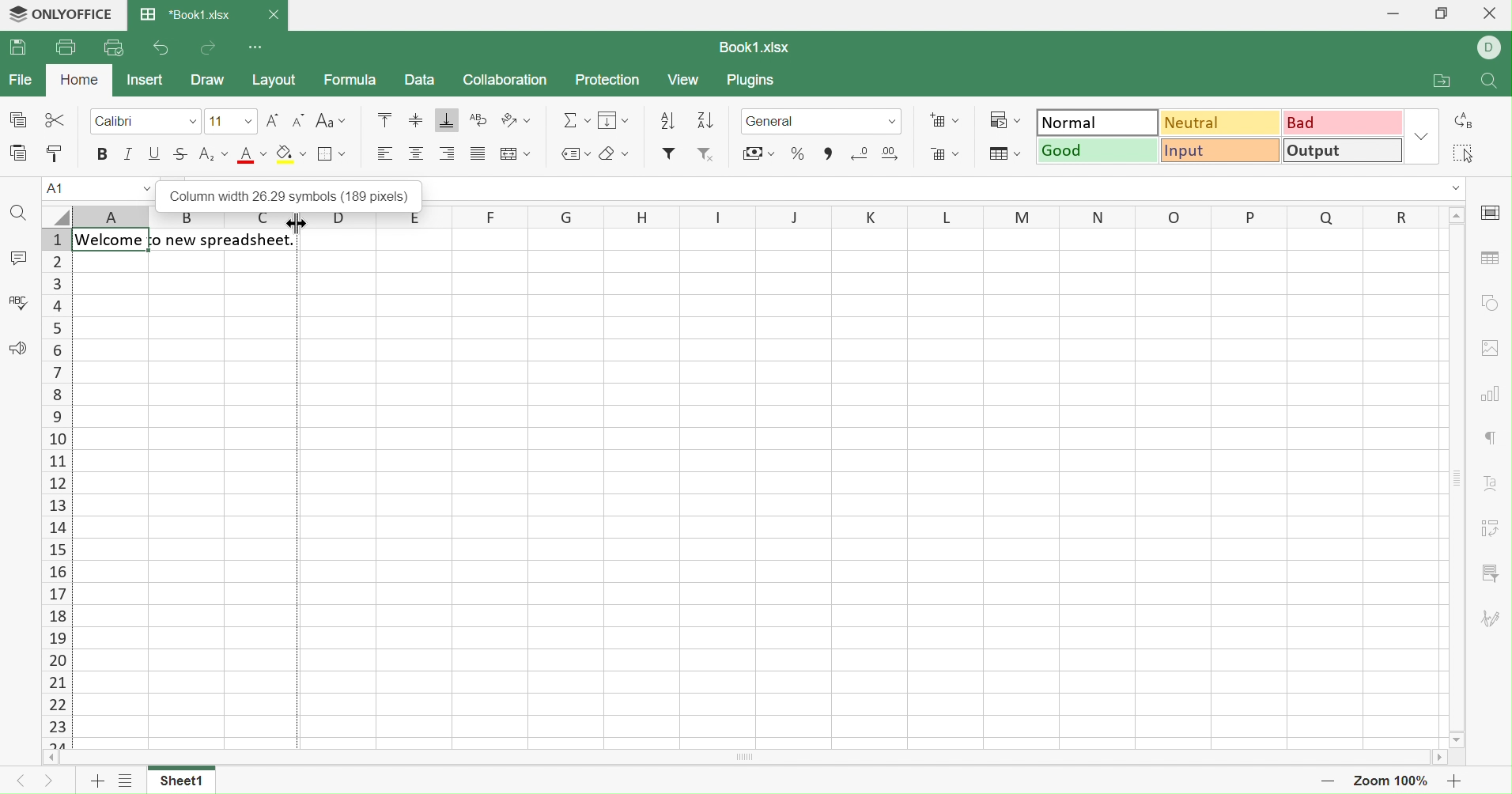 This screenshot has height=794, width=1512. Describe the element at coordinates (383, 119) in the screenshot. I see `Align Top` at that location.